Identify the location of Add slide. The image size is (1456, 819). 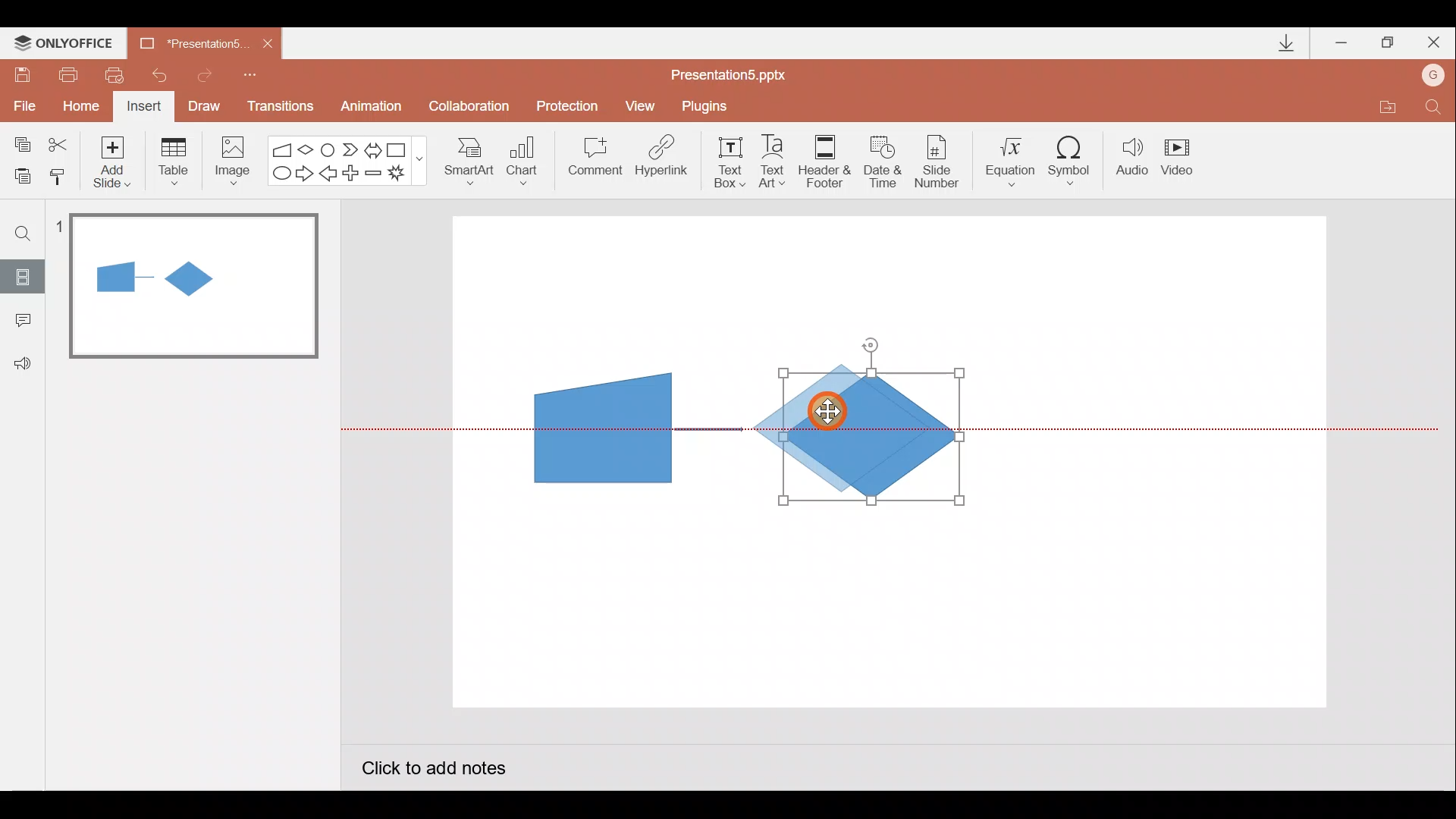
(115, 158).